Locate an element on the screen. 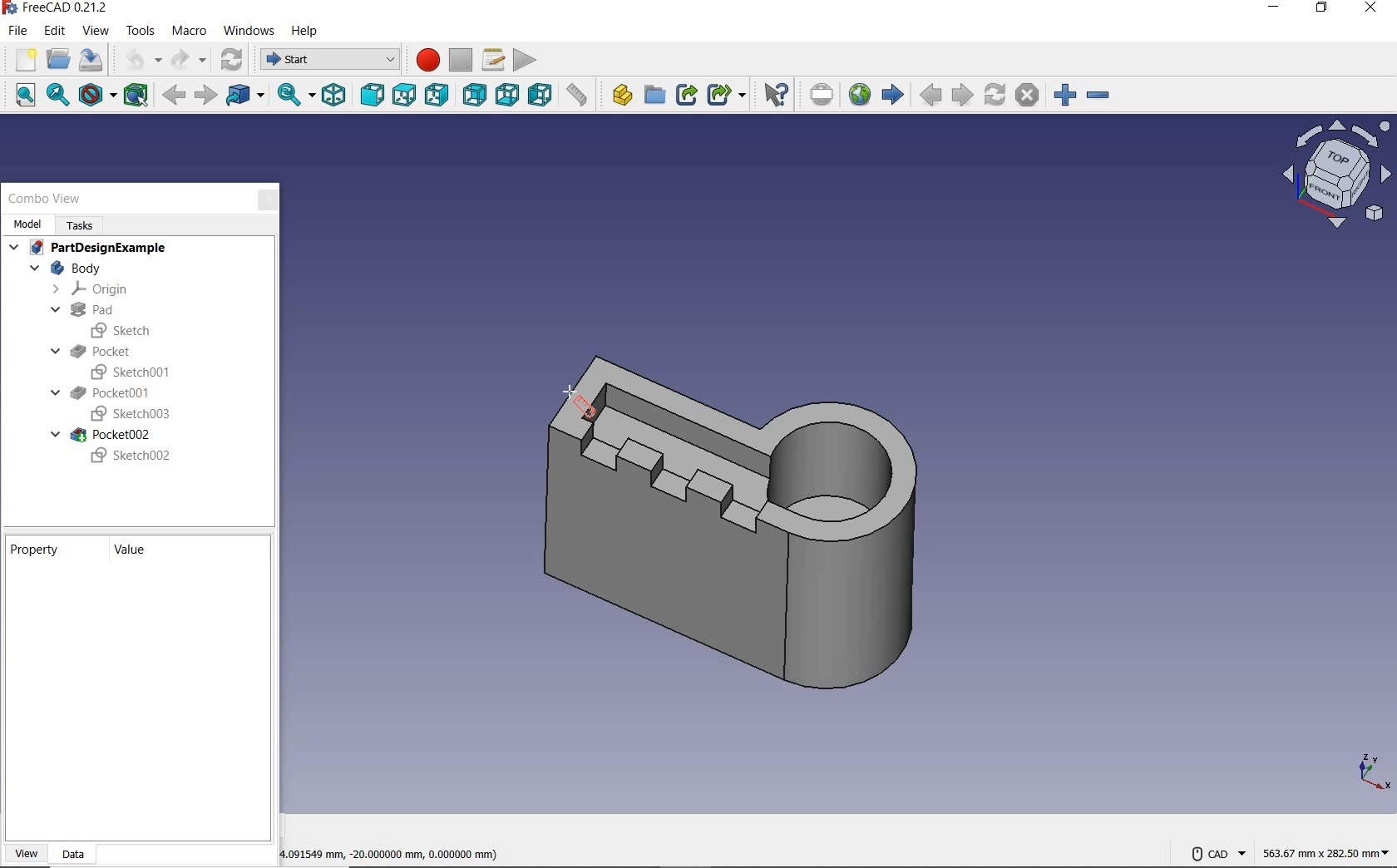 This screenshot has width=1397, height=868. restore down is located at coordinates (1323, 8).